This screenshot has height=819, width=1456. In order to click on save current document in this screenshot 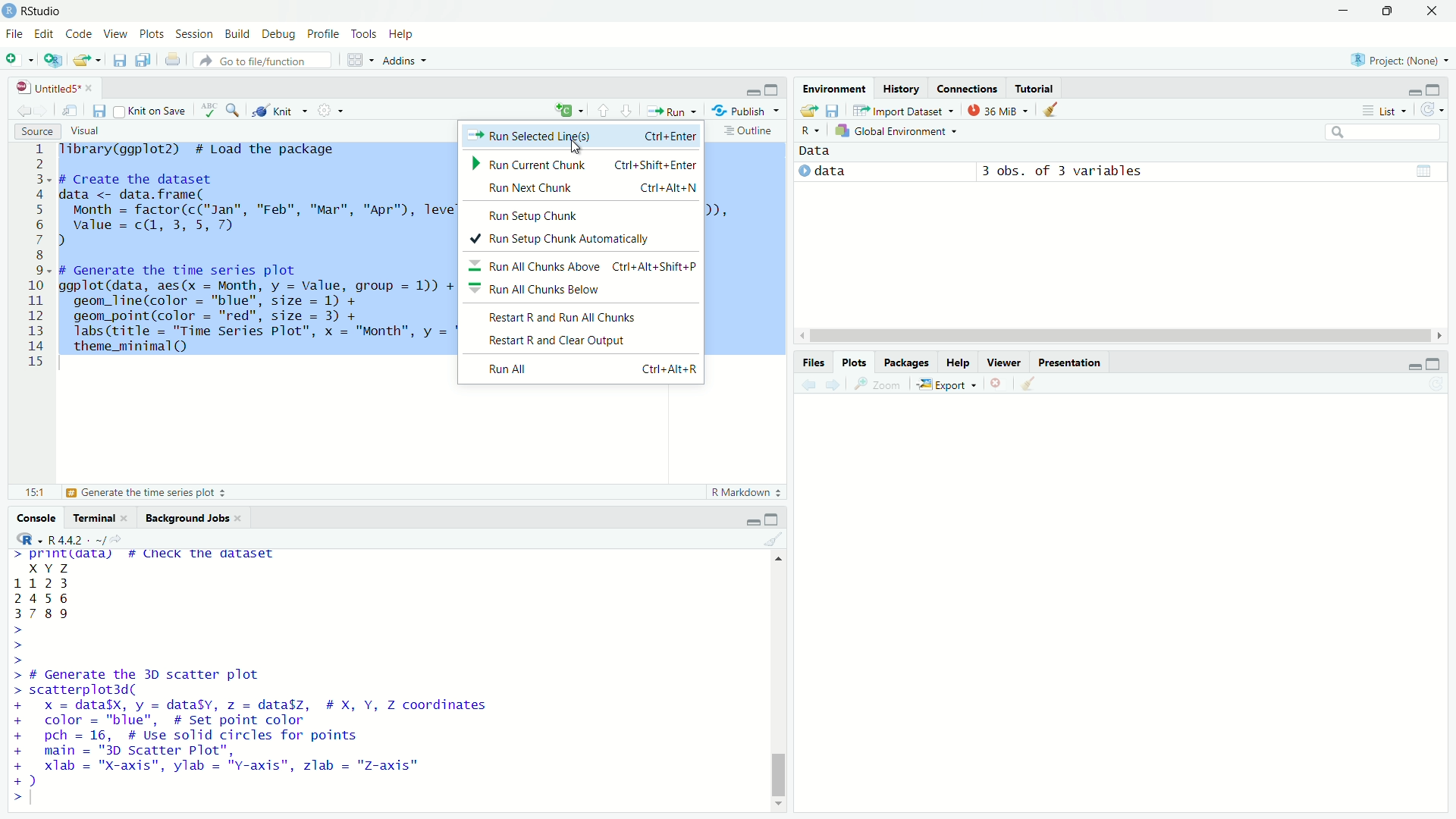, I will do `click(100, 110)`.